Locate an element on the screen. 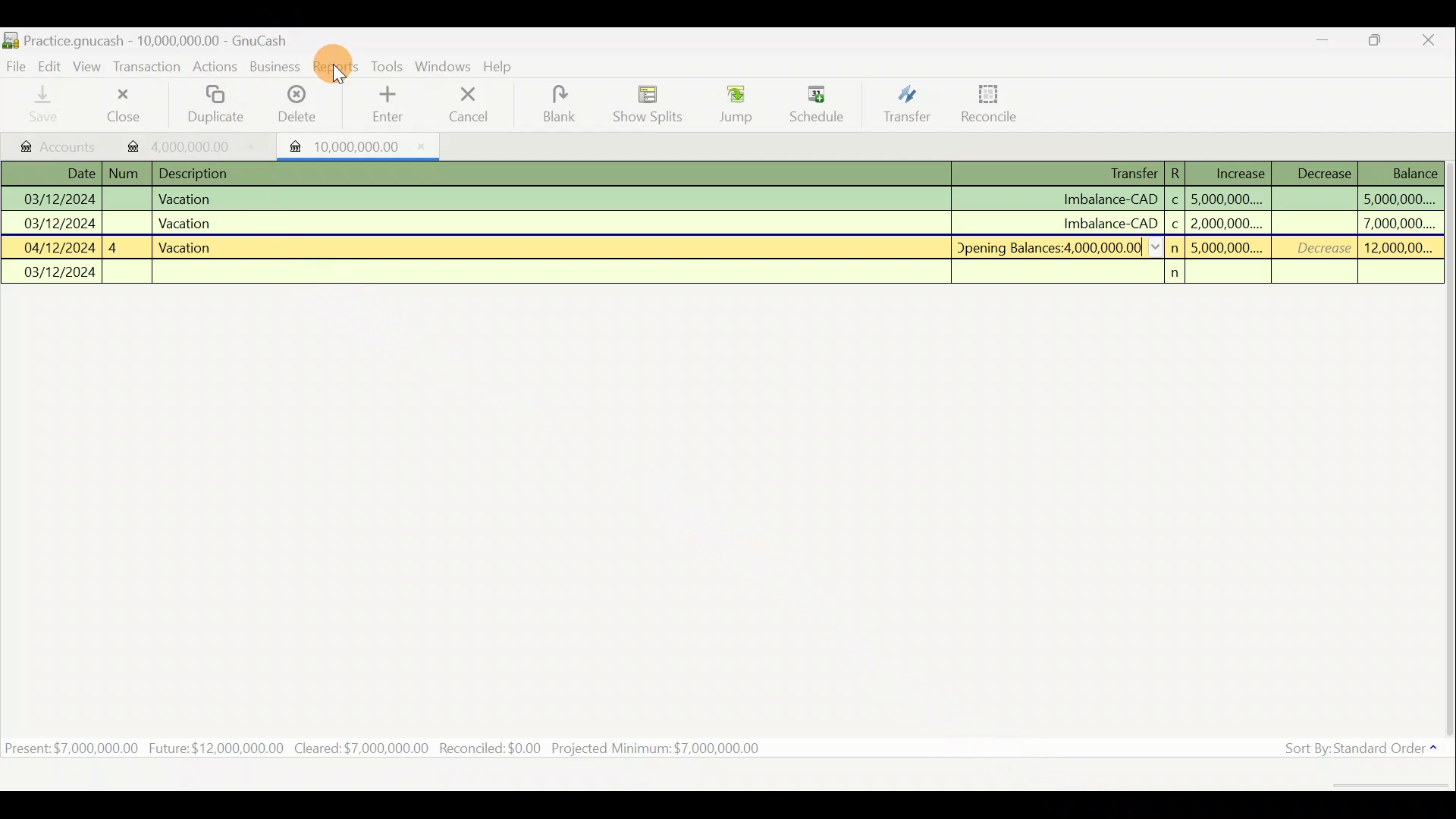 The image size is (1456, 819). n is located at coordinates (1175, 272).